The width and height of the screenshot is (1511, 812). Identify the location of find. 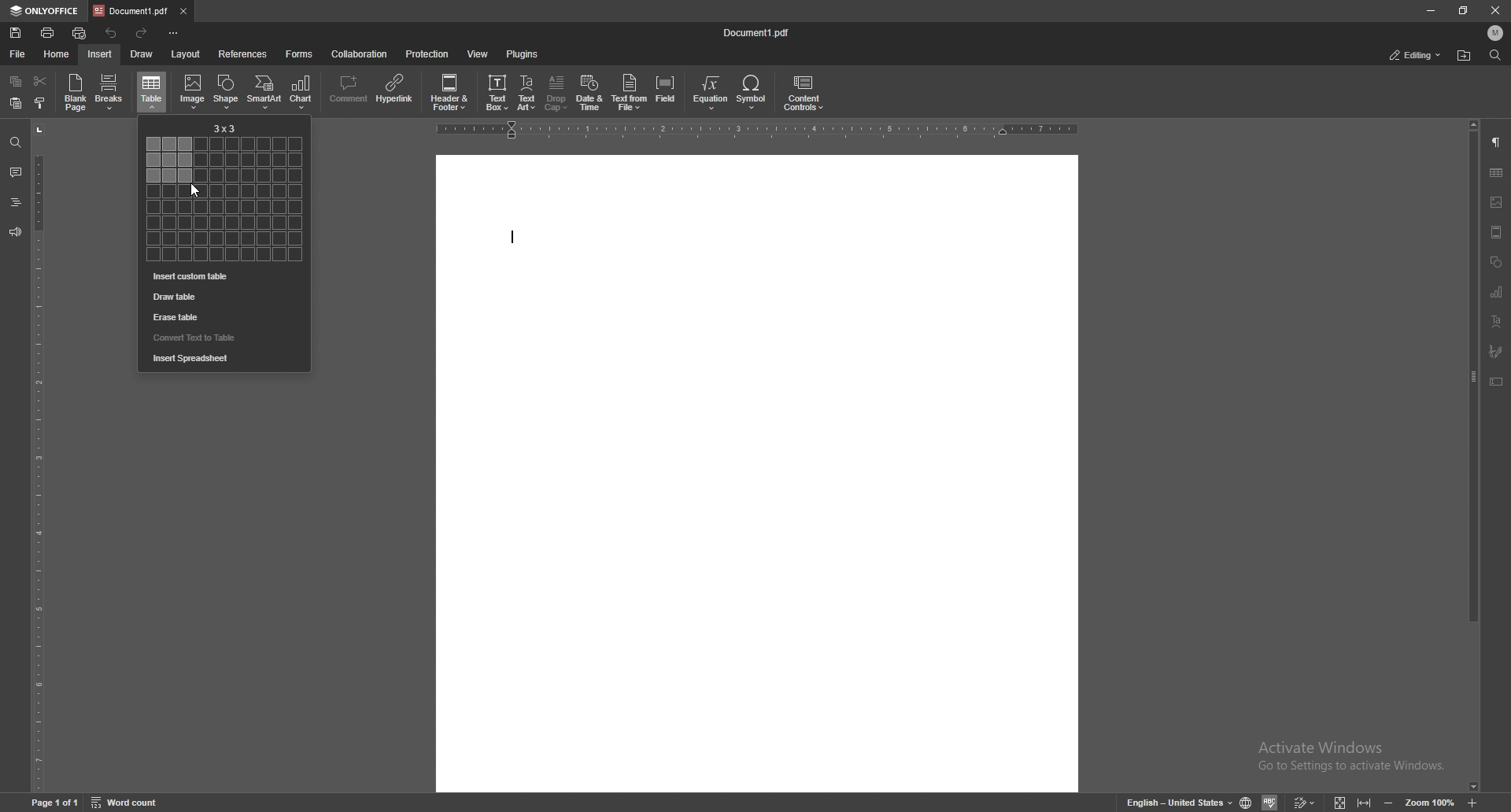
(1496, 55).